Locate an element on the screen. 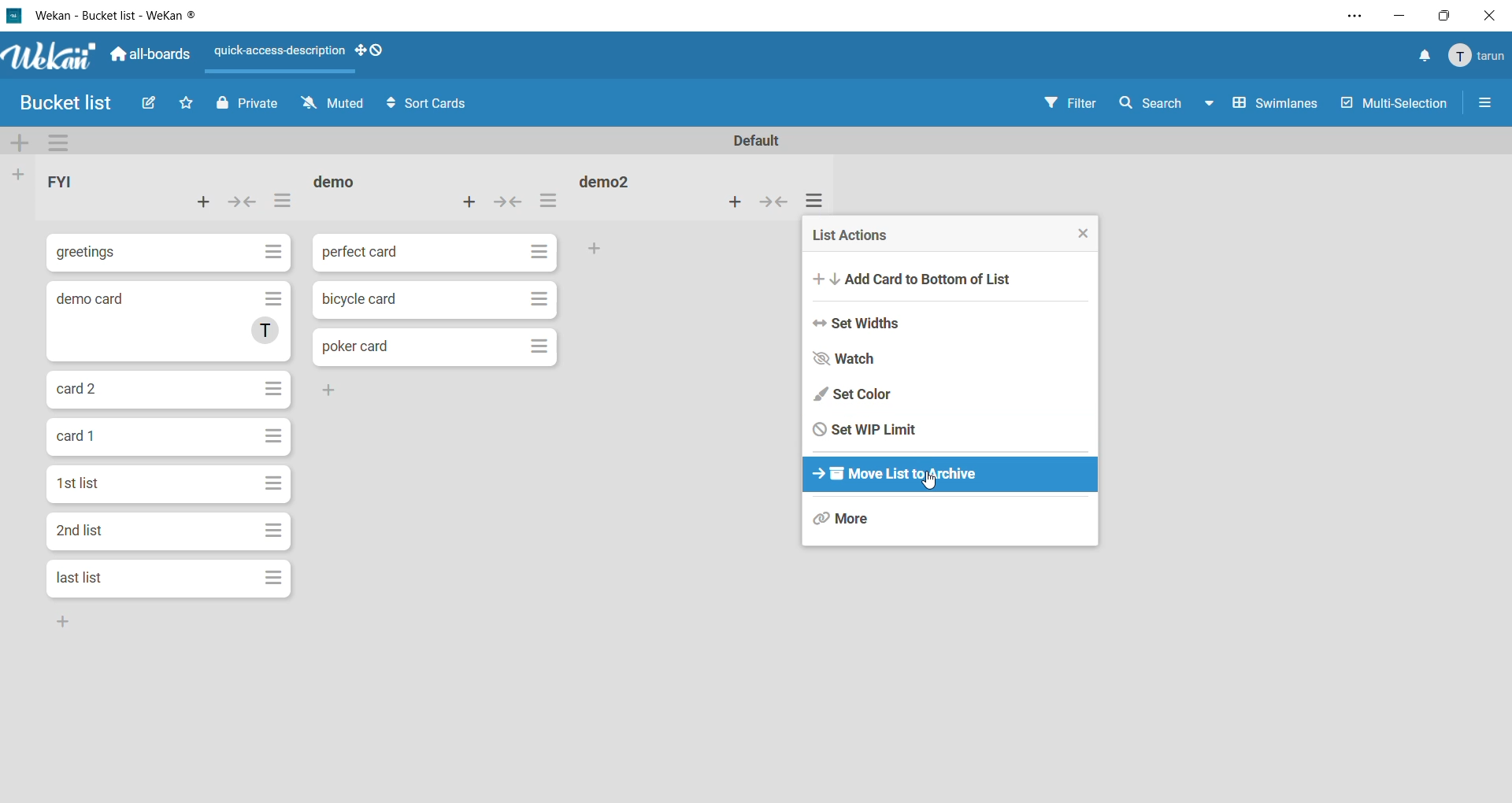 This screenshot has height=803, width=1512. cards is located at coordinates (173, 532).